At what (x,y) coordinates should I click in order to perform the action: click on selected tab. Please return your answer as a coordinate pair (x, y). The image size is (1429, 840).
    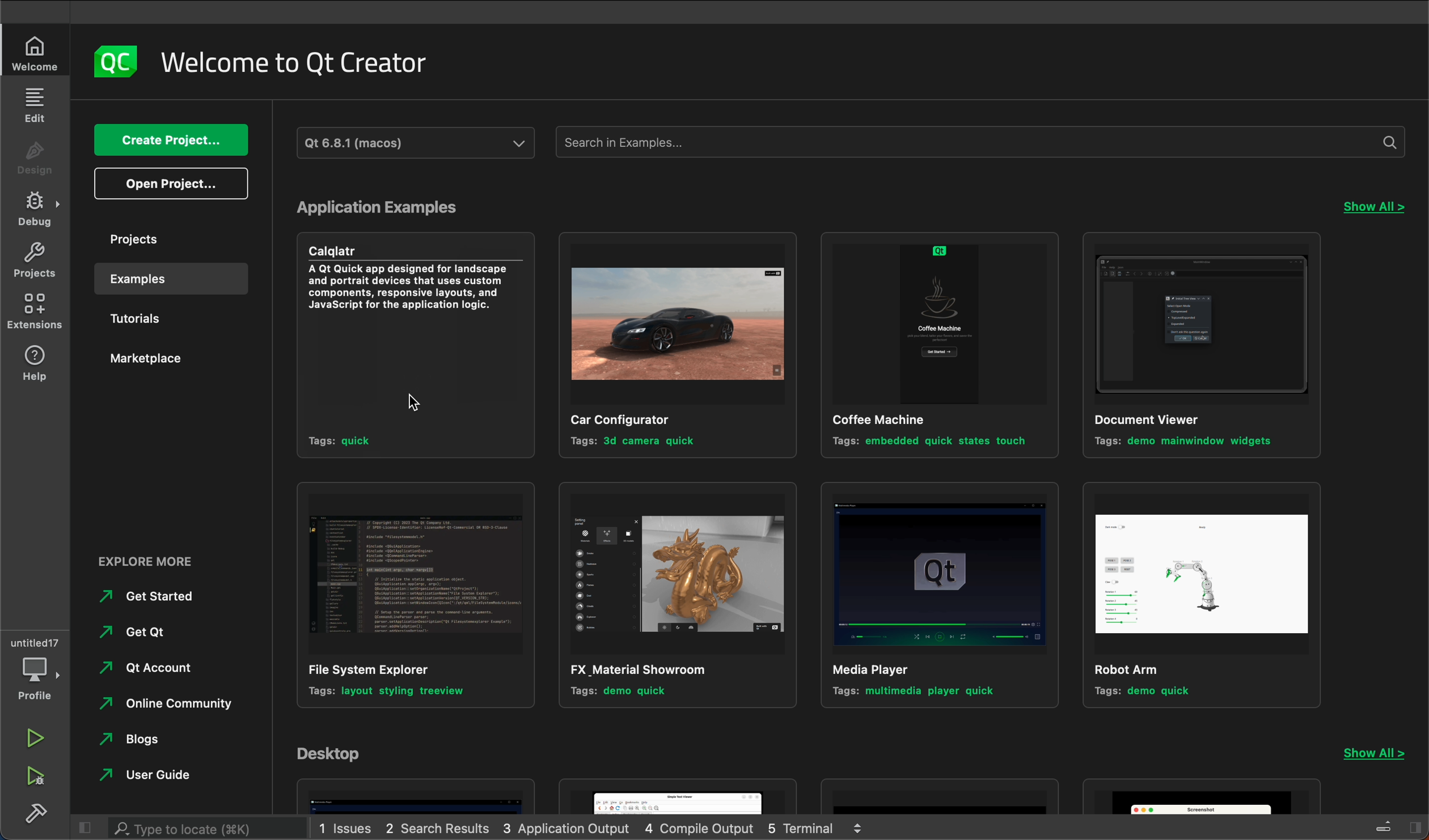
    Looking at the image, I should click on (179, 279).